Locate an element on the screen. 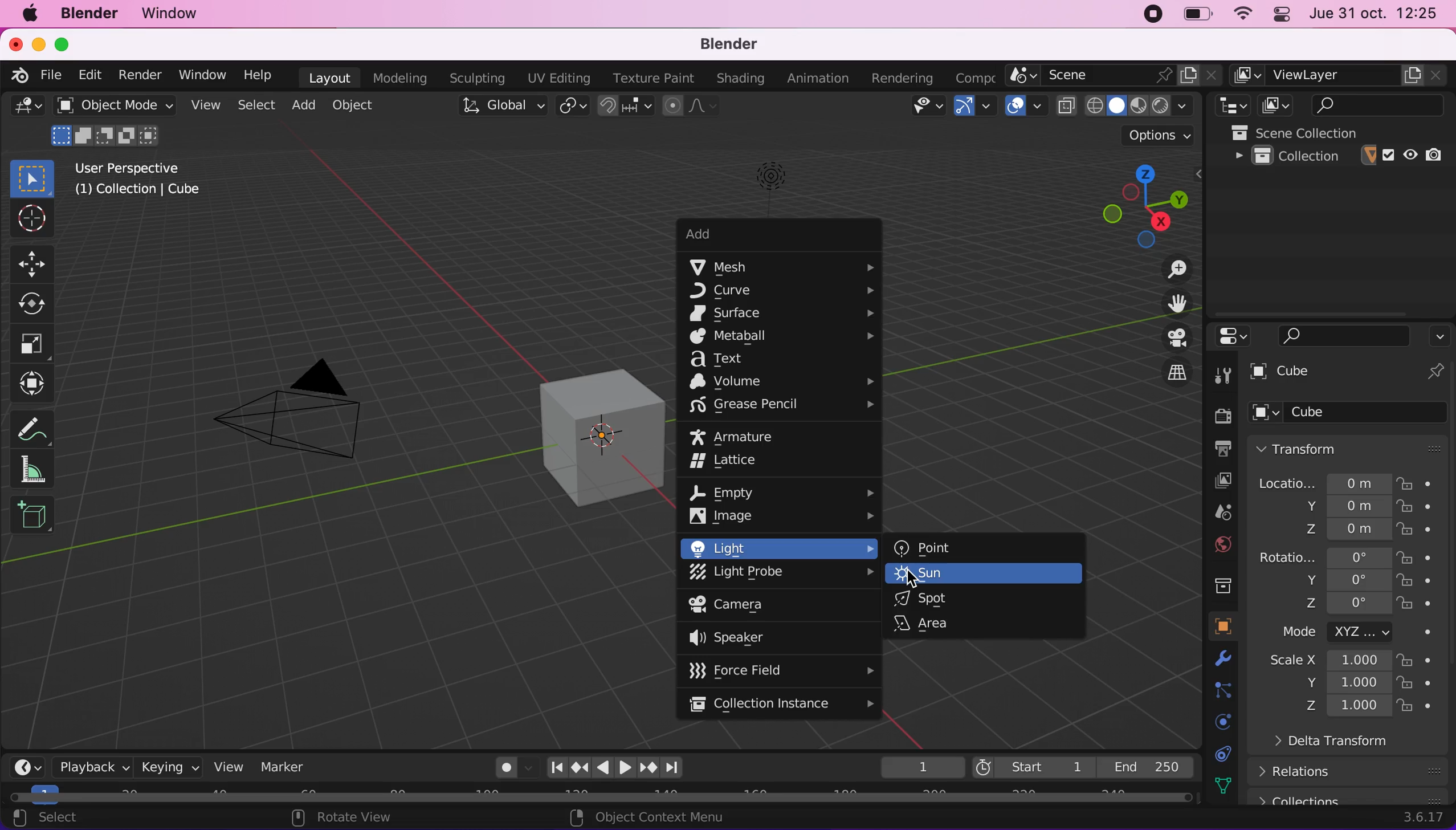 This screenshot has width=1456, height=830. lock is located at coordinates (1426, 660).